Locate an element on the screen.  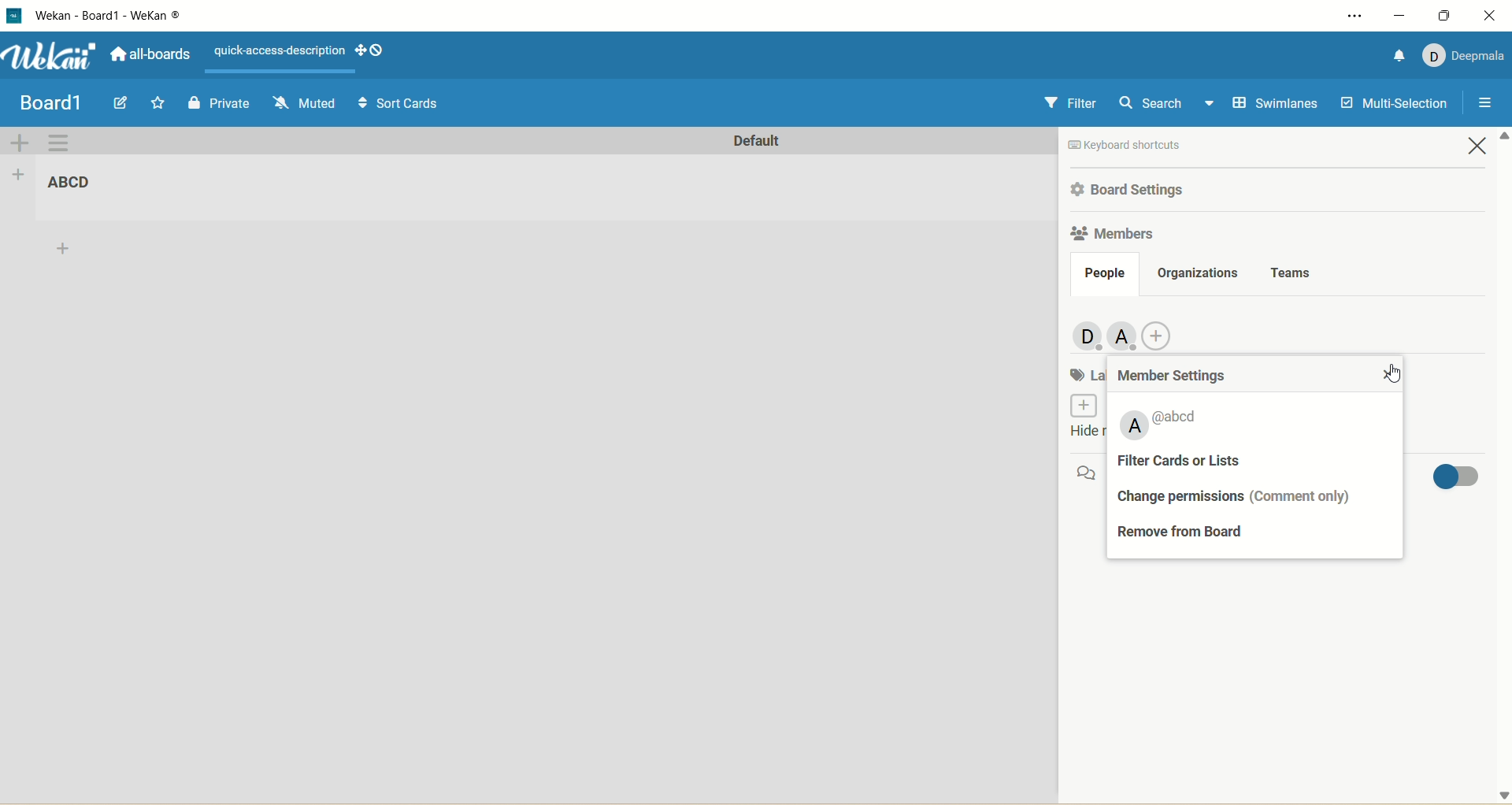
cursor is located at coordinates (1403, 377).